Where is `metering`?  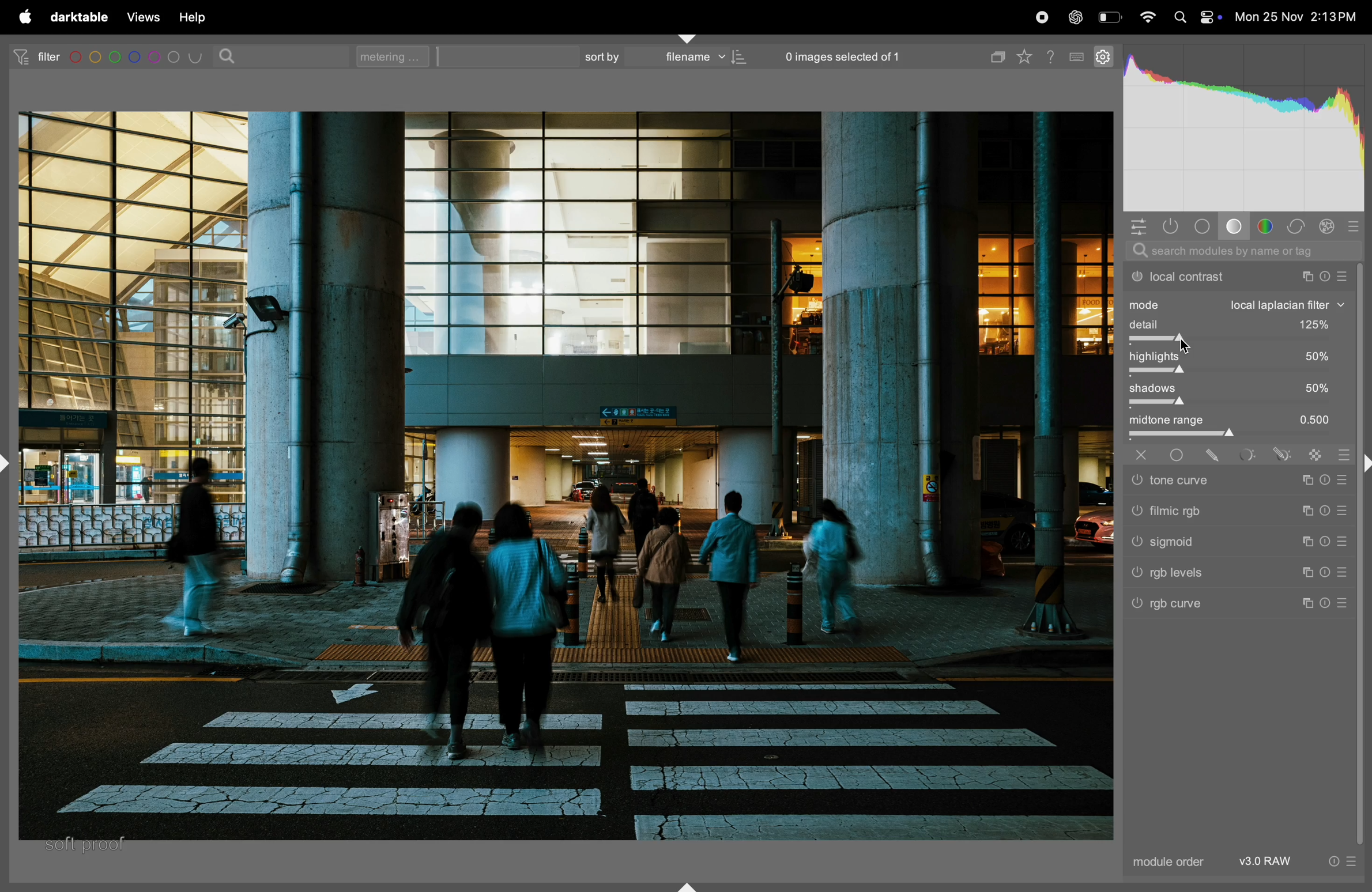 metering is located at coordinates (397, 56).